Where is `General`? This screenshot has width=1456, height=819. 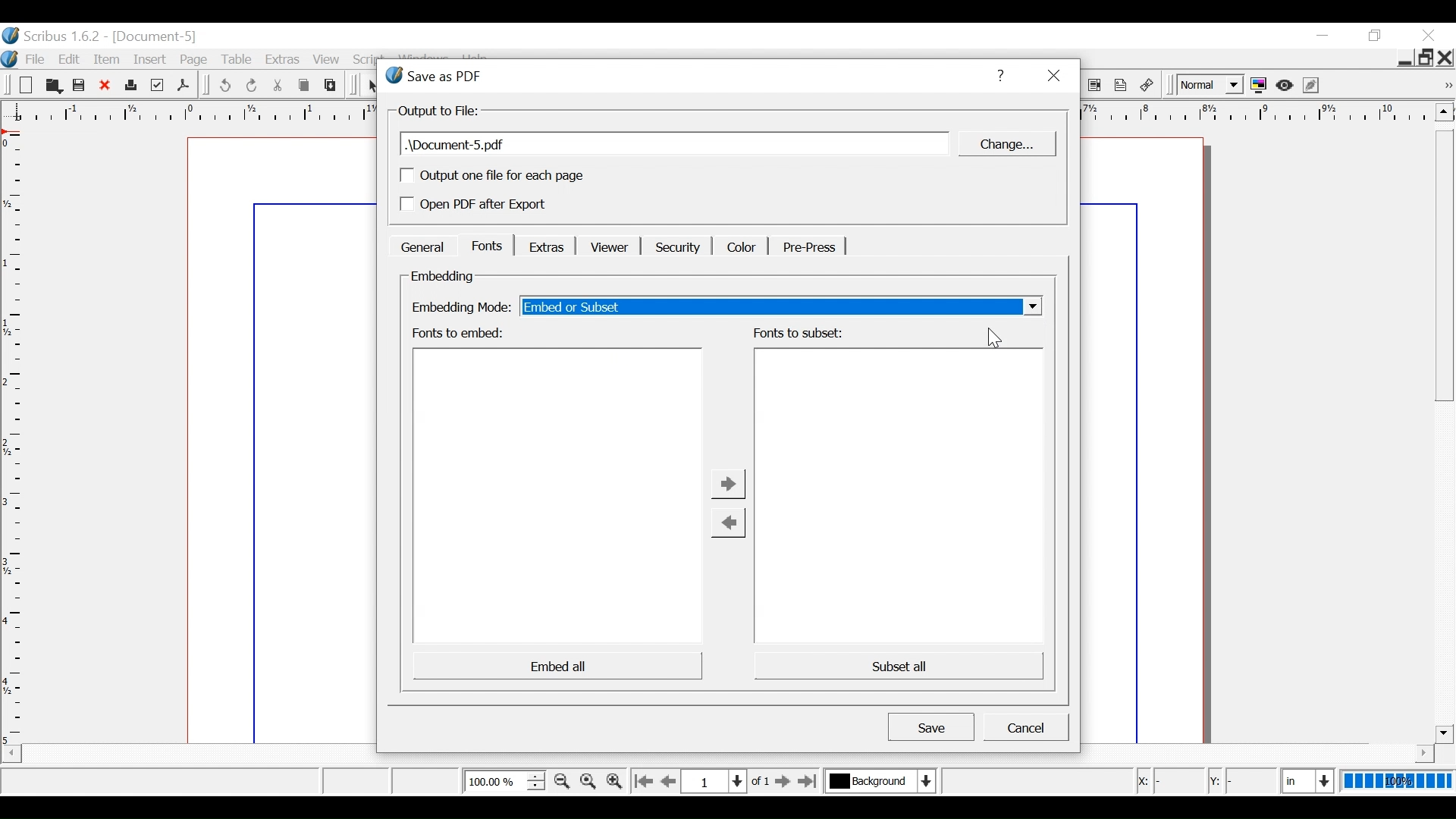 General is located at coordinates (422, 246).